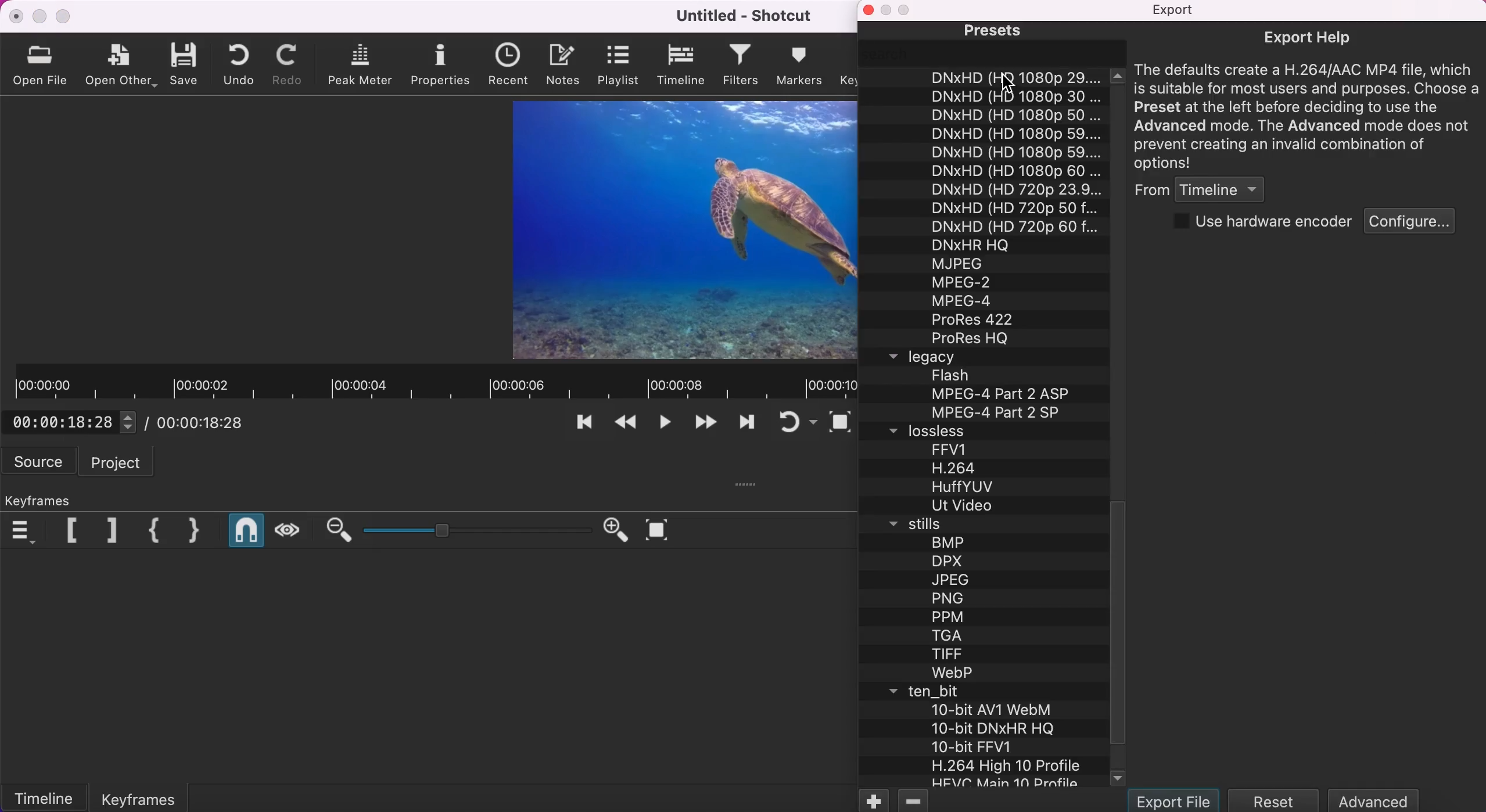  I want to click on keyframes, so click(140, 797).